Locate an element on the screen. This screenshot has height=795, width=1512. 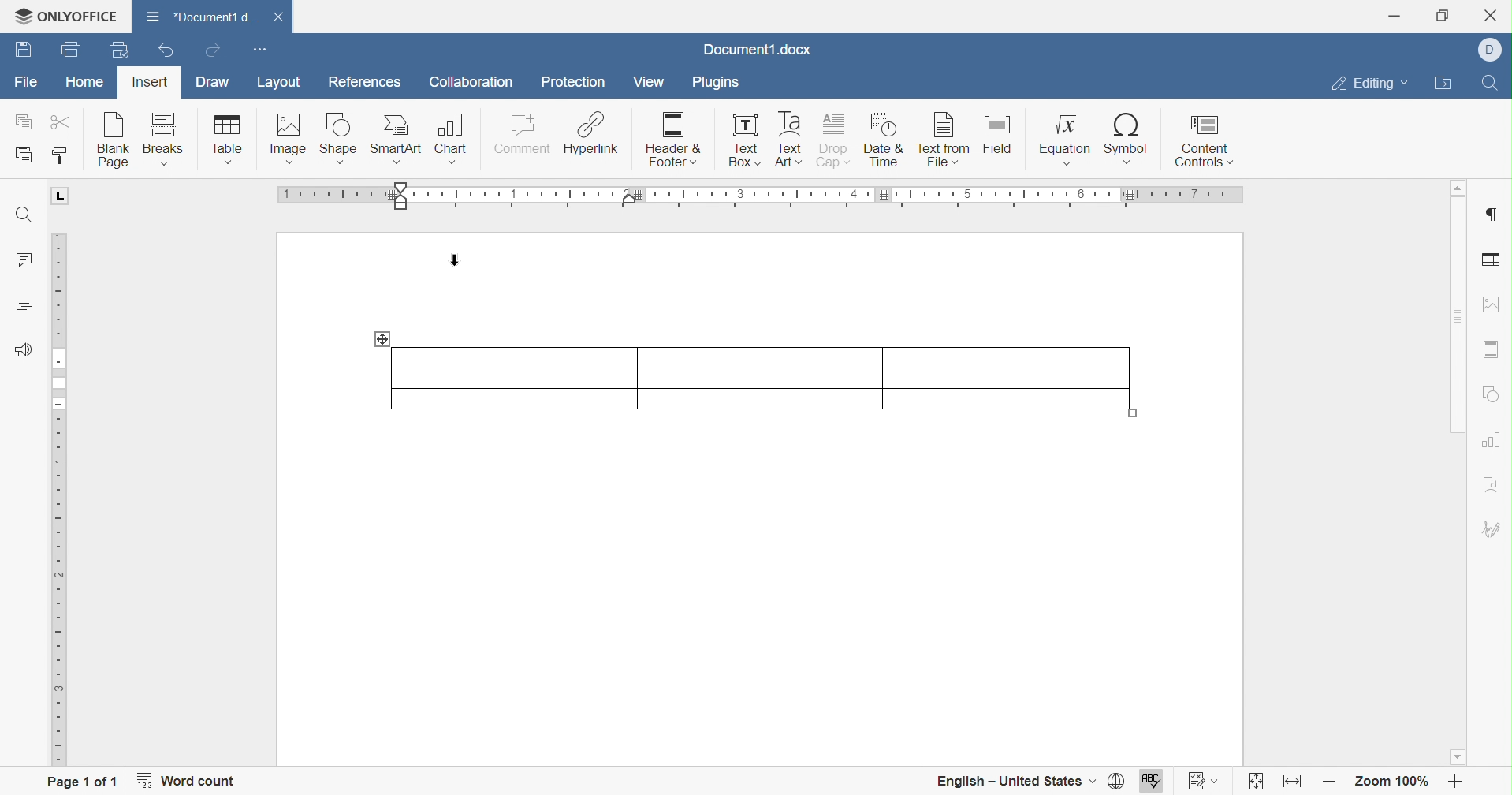
Track changes is located at coordinates (1205, 780).